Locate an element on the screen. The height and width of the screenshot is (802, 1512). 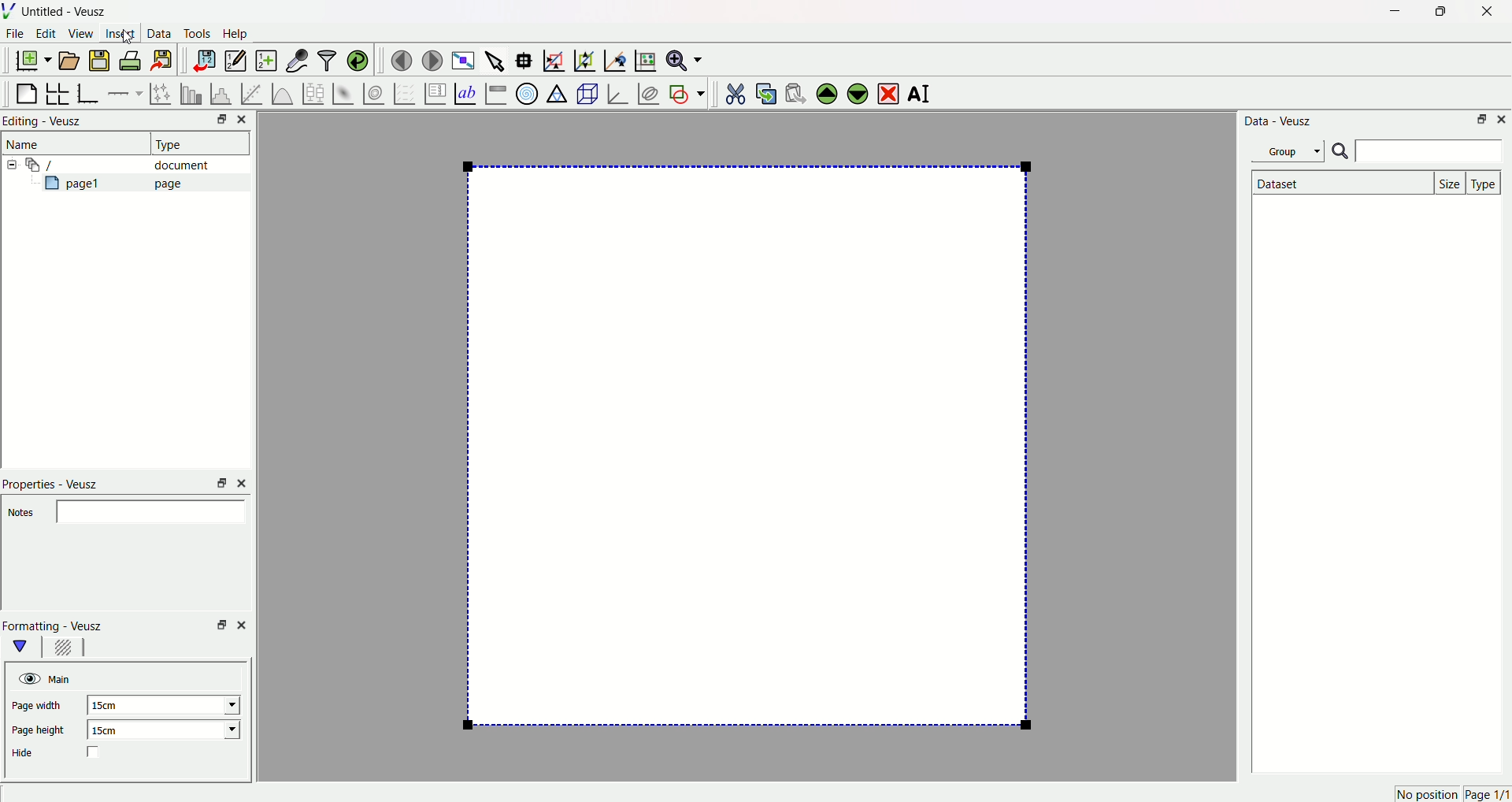
Name is located at coordinates (26, 144).